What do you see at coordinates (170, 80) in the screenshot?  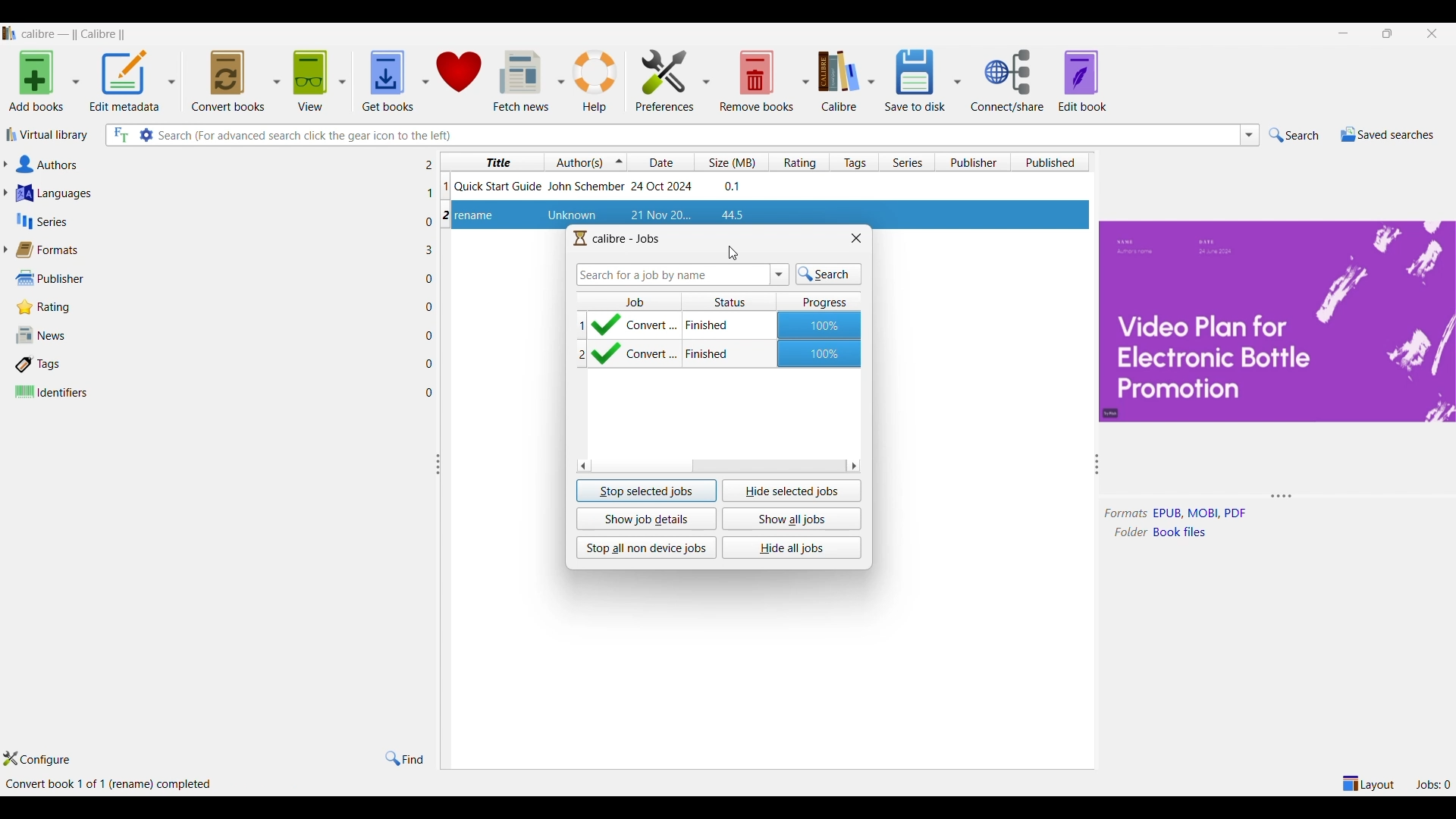 I see `` at bounding box center [170, 80].